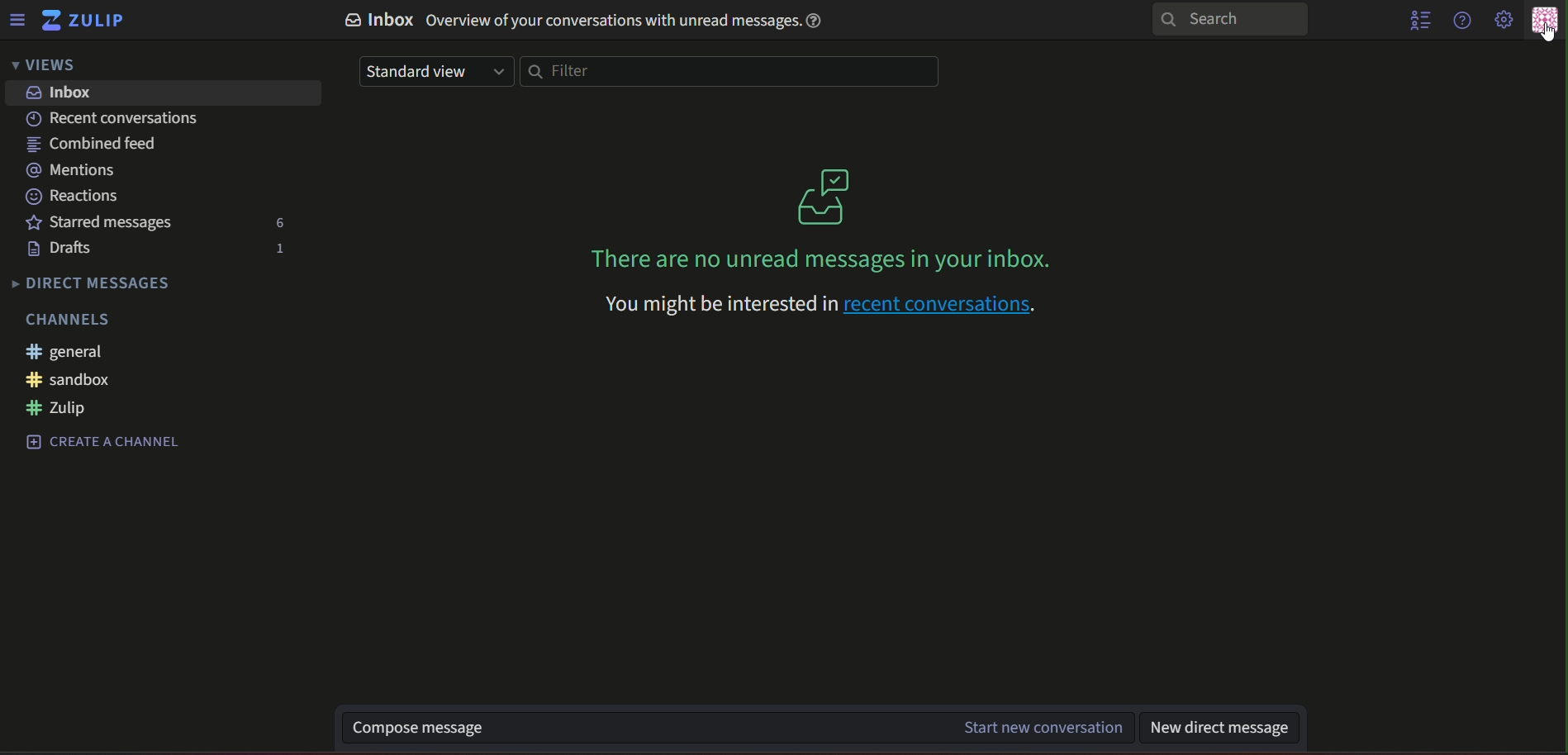 The height and width of the screenshot is (755, 1568). What do you see at coordinates (73, 170) in the screenshot?
I see `mentions` at bounding box center [73, 170].